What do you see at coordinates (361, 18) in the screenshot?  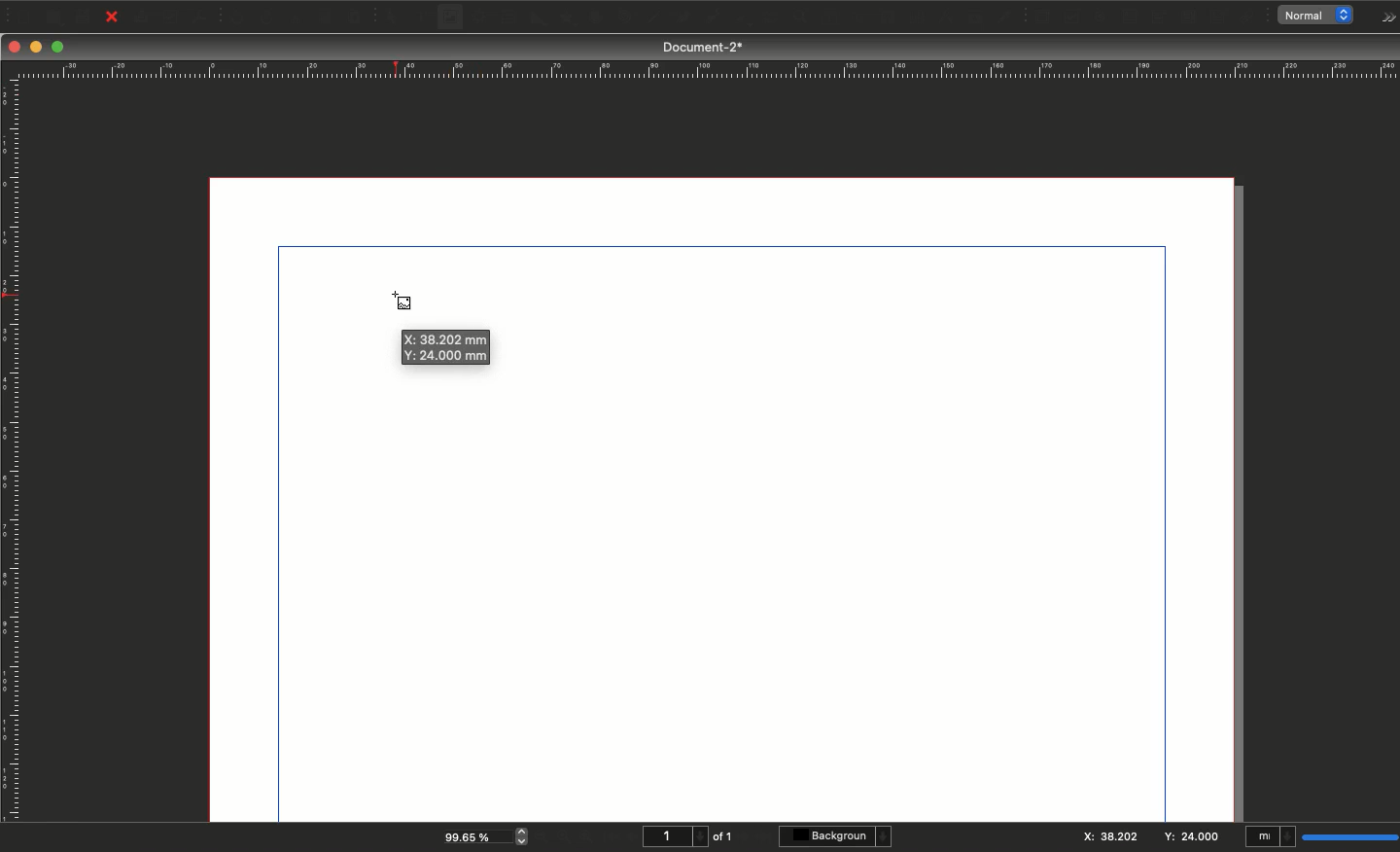 I see `Paste` at bounding box center [361, 18].